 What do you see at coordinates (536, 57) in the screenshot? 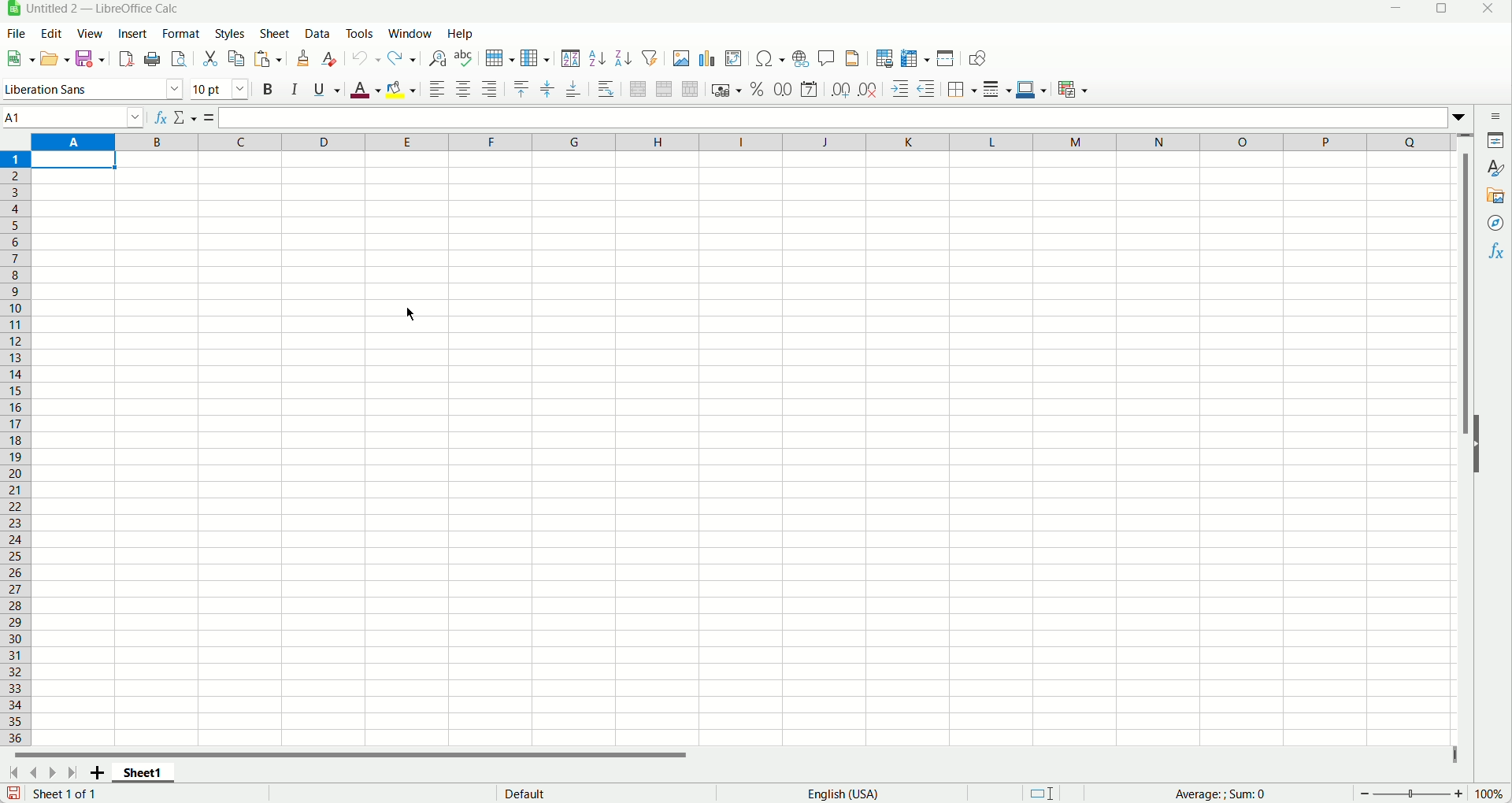
I see `Column` at bounding box center [536, 57].